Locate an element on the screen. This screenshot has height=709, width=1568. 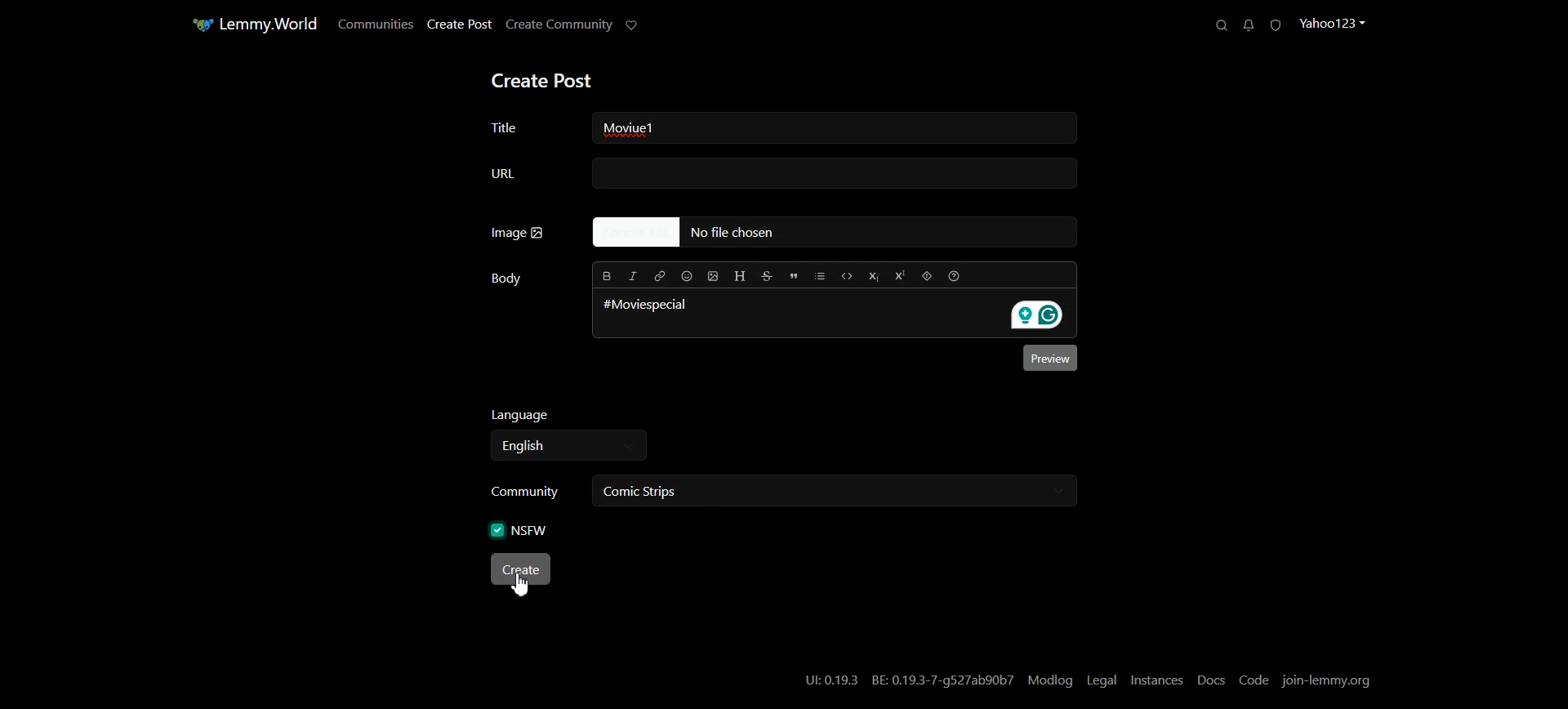
Code is located at coordinates (847, 274).